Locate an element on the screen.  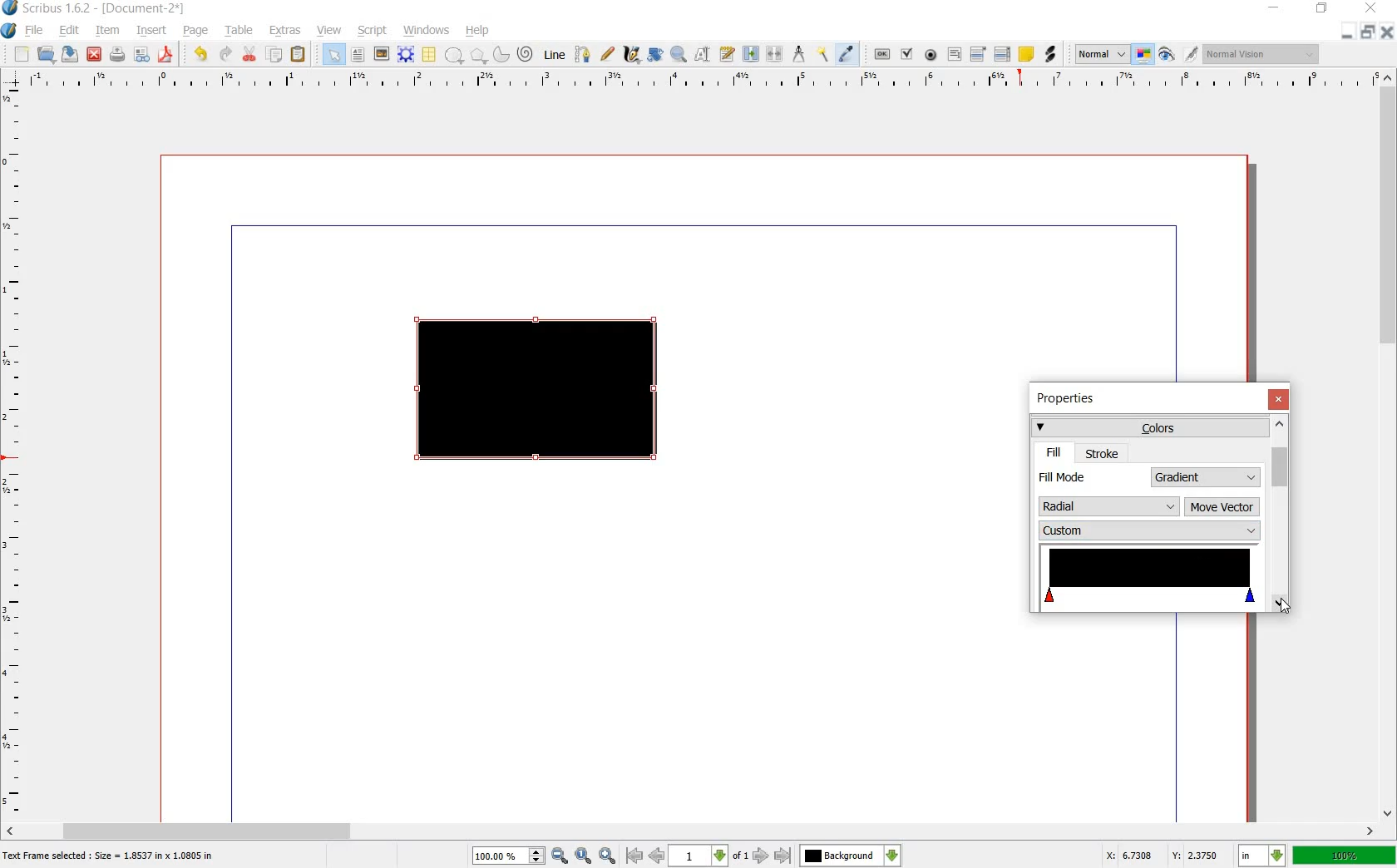
file is located at coordinates (37, 31).